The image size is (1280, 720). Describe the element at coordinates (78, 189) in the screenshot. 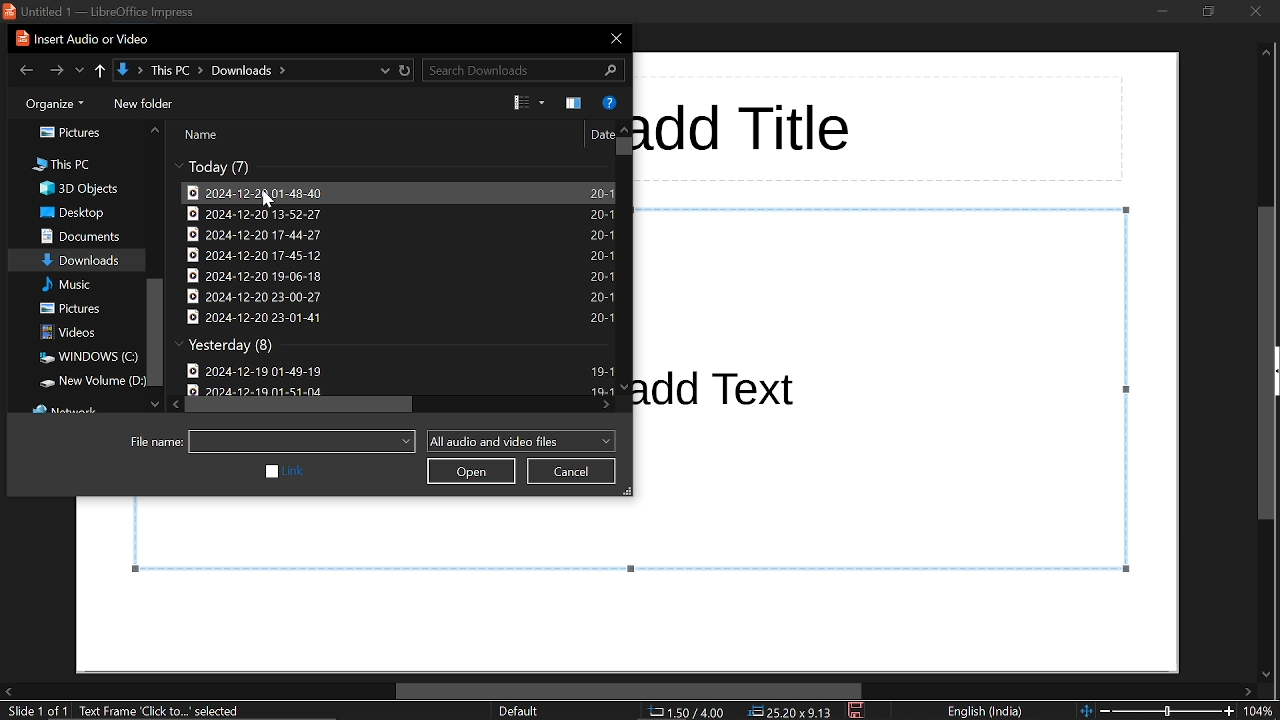

I see `3d objects` at that location.